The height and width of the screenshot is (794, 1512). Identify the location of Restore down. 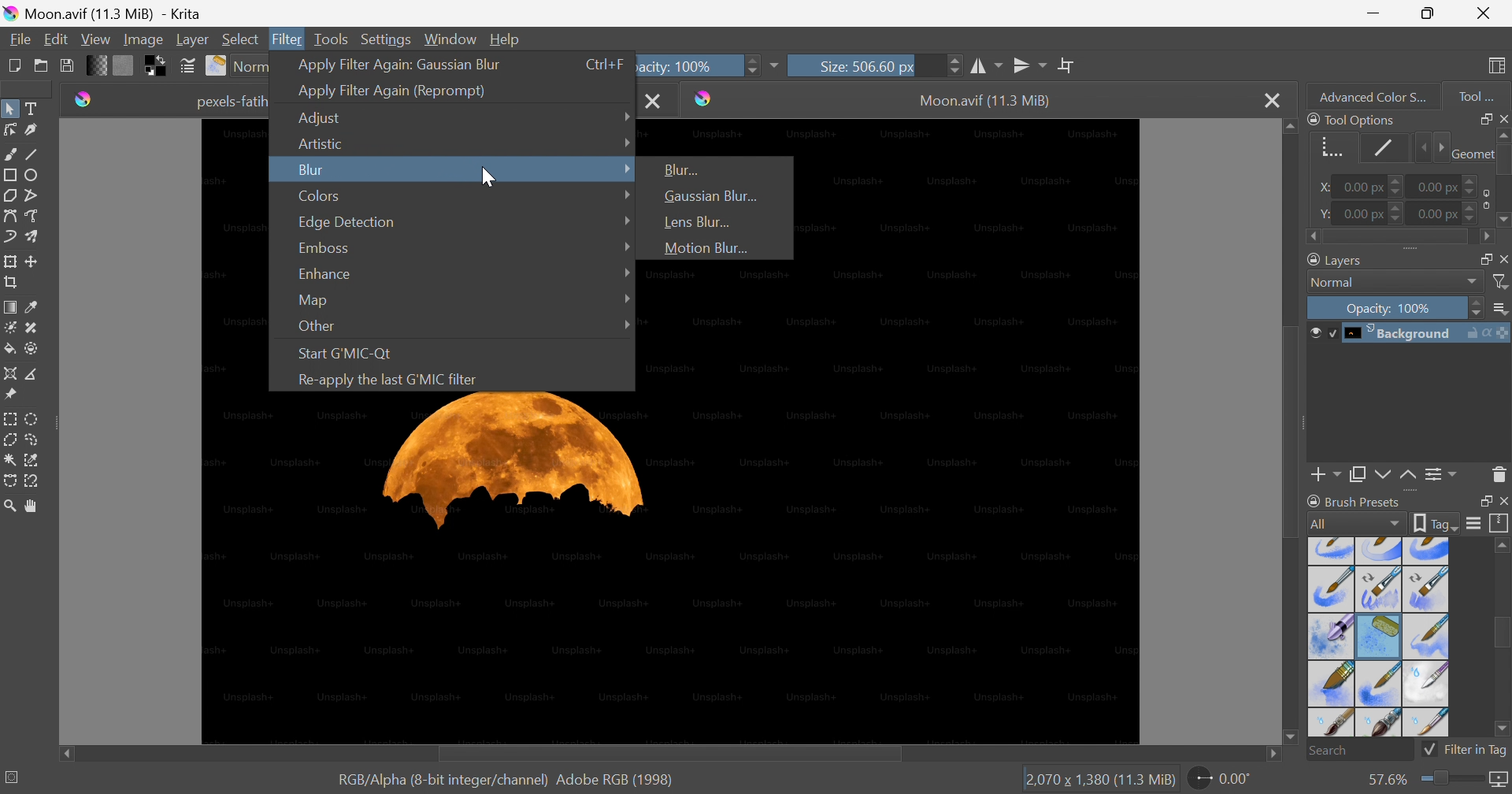
(1480, 118).